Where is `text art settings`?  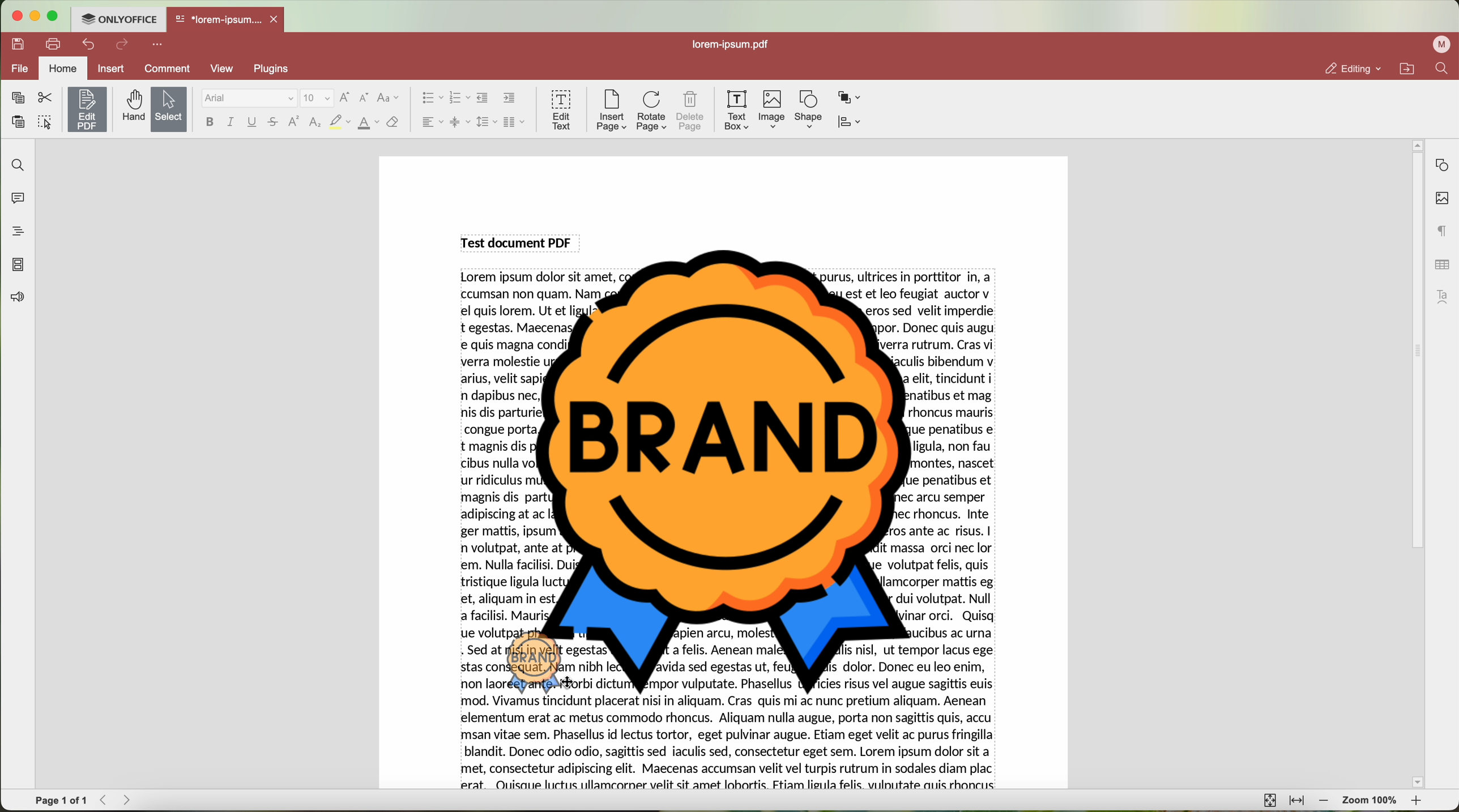
text art settings is located at coordinates (1445, 297).